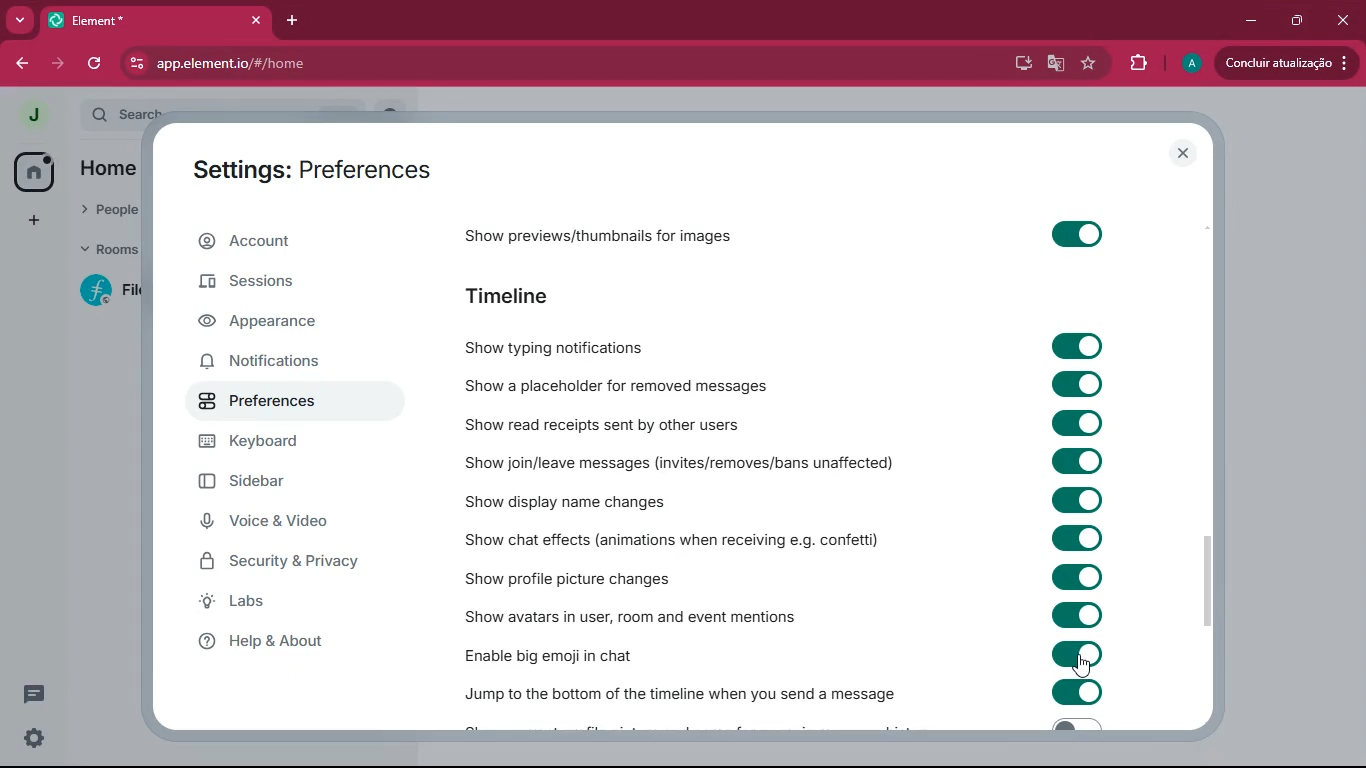  Describe the element at coordinates (576, 499) in the screenshot. I see `show display name changes` at that location.